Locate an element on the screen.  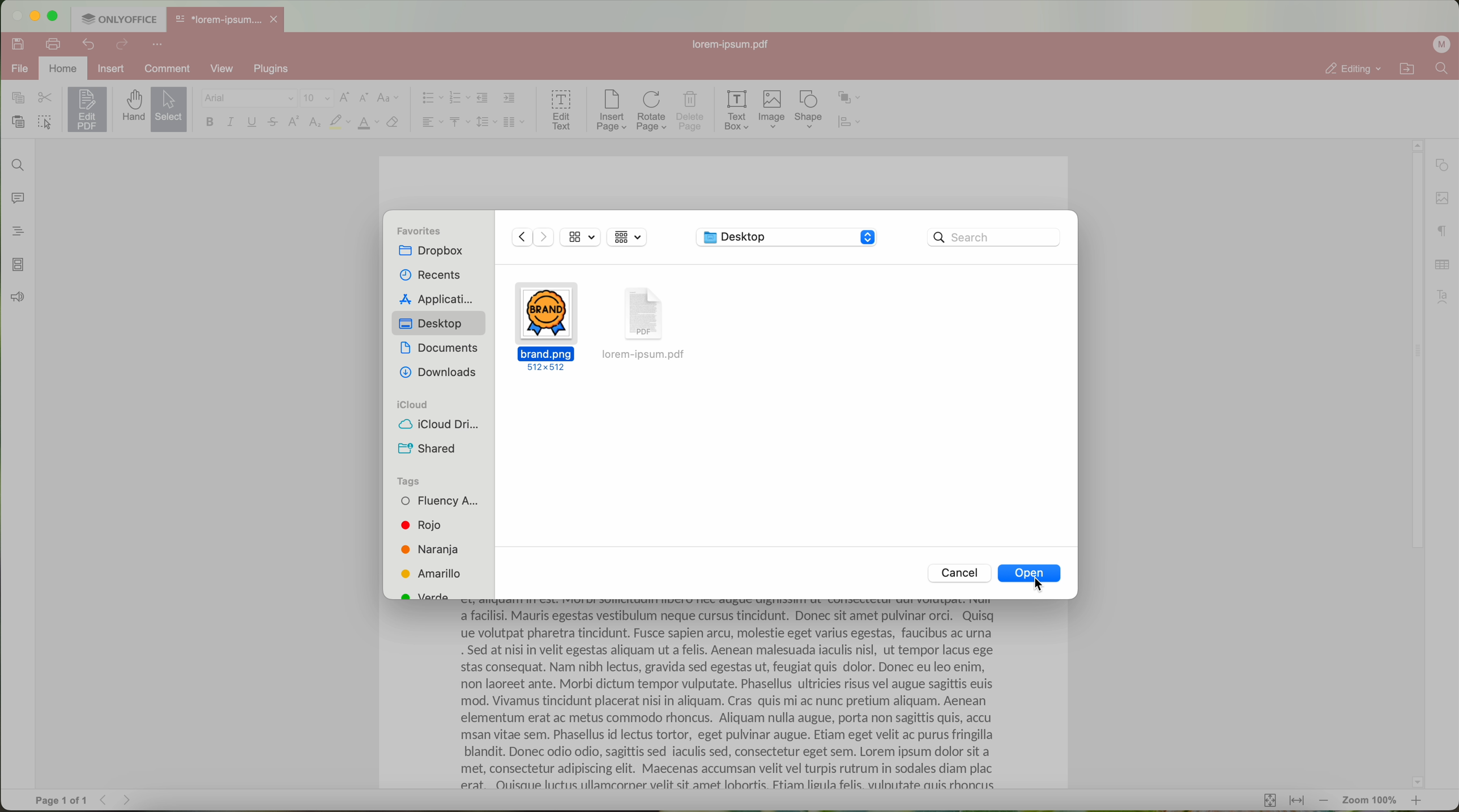
documents is located at coordinates (438, 348).